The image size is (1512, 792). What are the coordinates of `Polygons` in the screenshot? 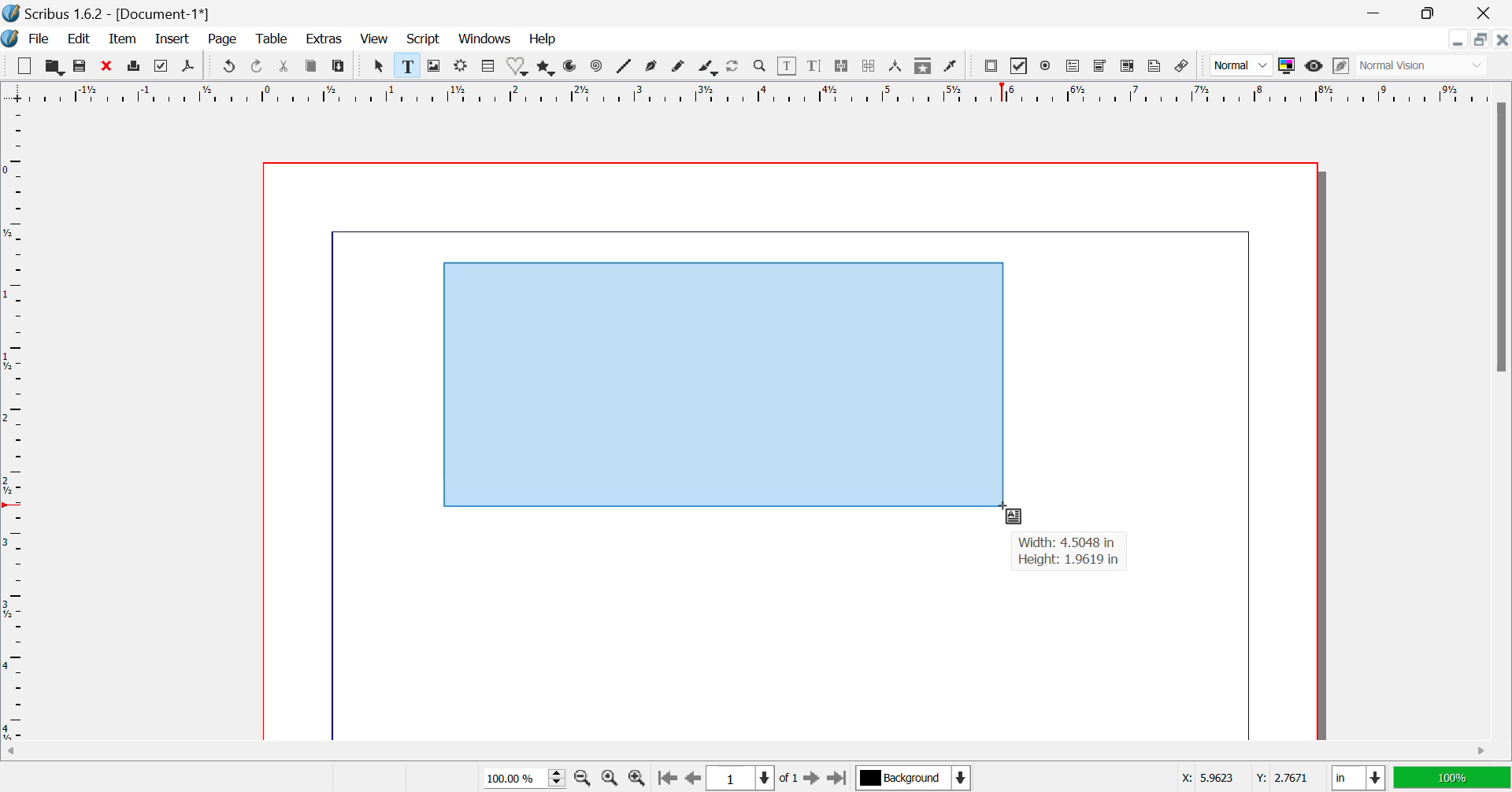 It's located at (545, 69).